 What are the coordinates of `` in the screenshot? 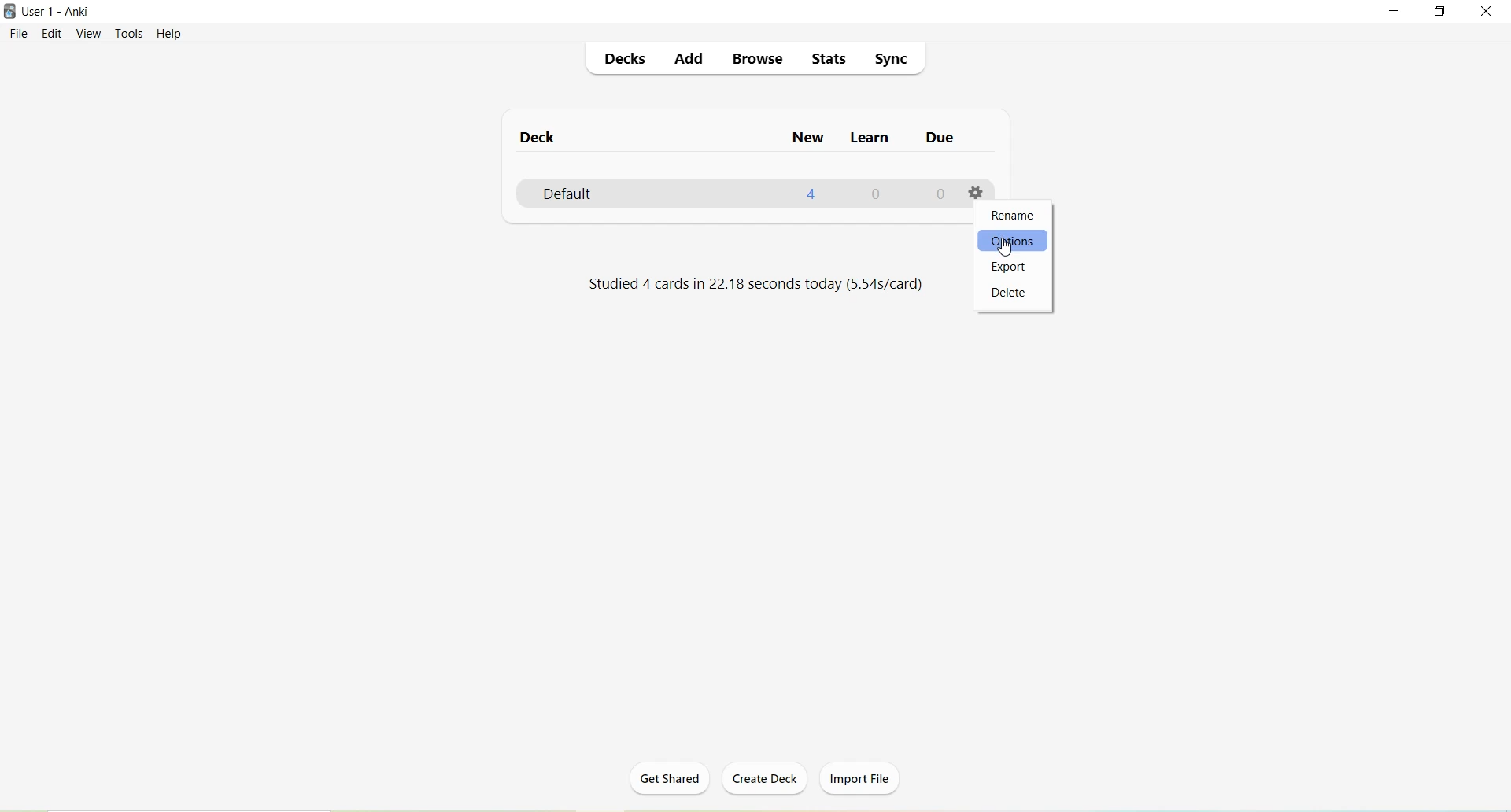 It's located at (1009, 248).